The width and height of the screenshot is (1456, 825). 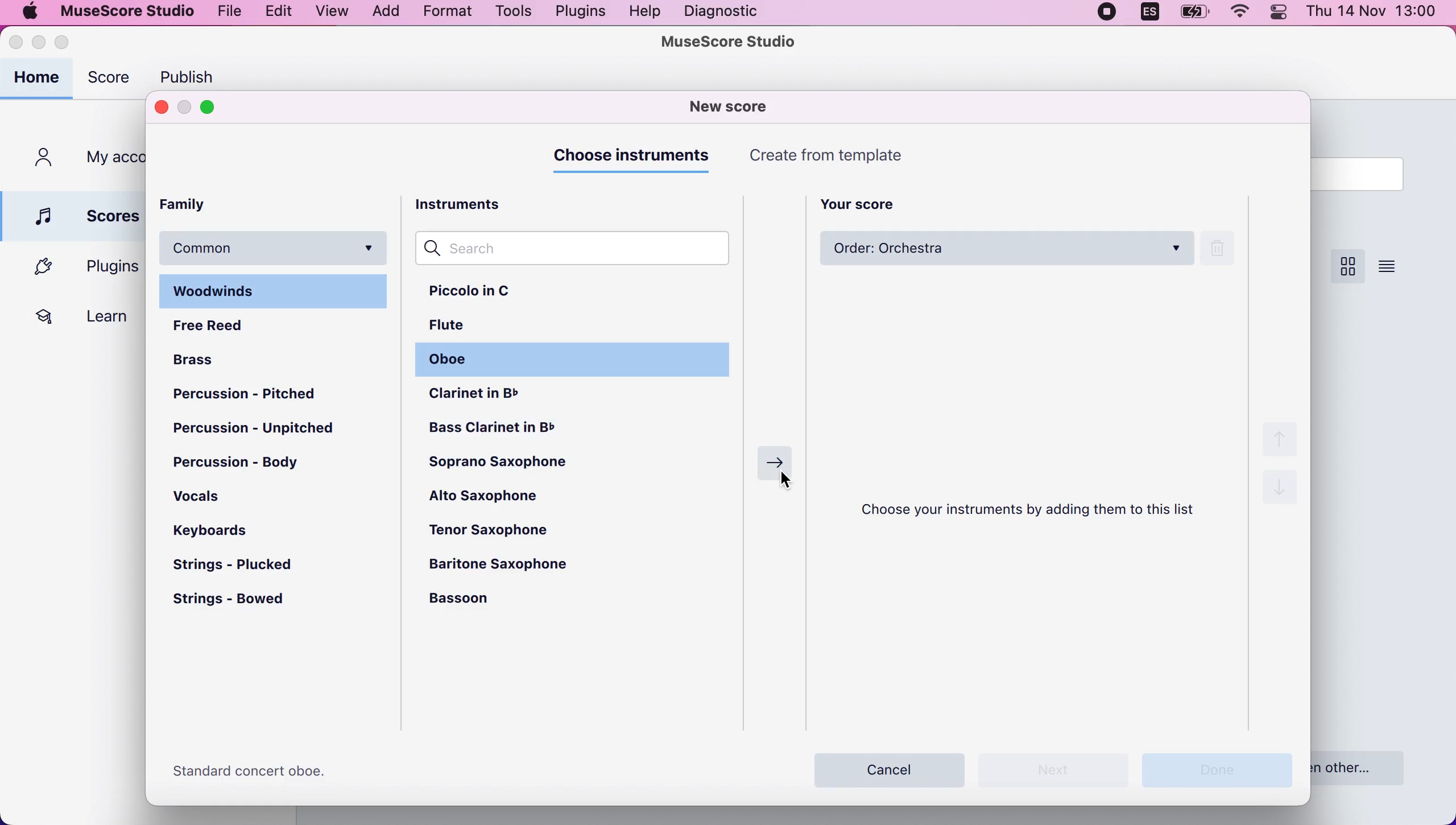 What do you see at coordinates (200, 495) in the screenshot?
I see `vocals` at bounding box center [200, 495].